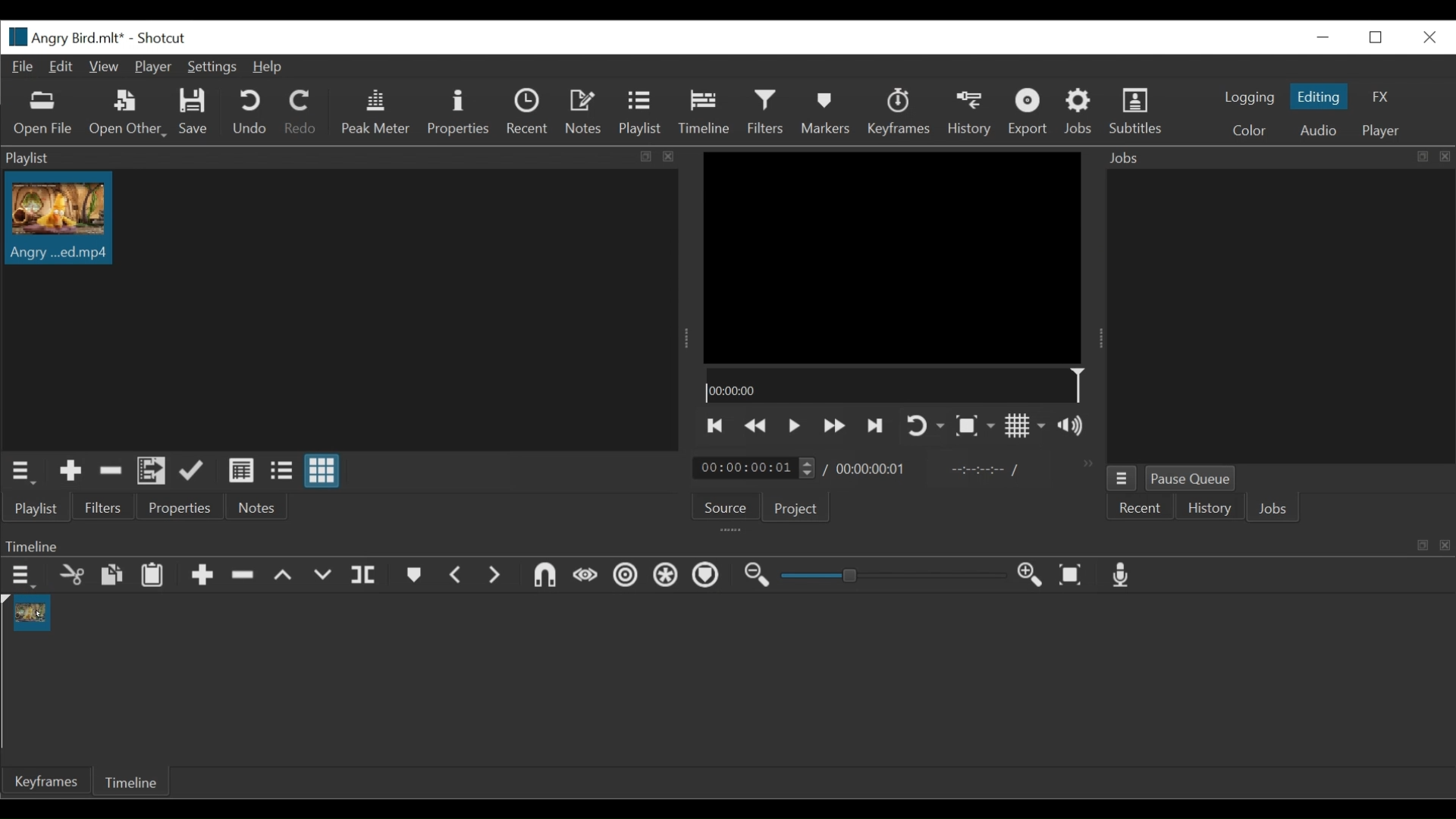 The image size is (1456, 819). I want to click on Next Marker, so click(494, 576).